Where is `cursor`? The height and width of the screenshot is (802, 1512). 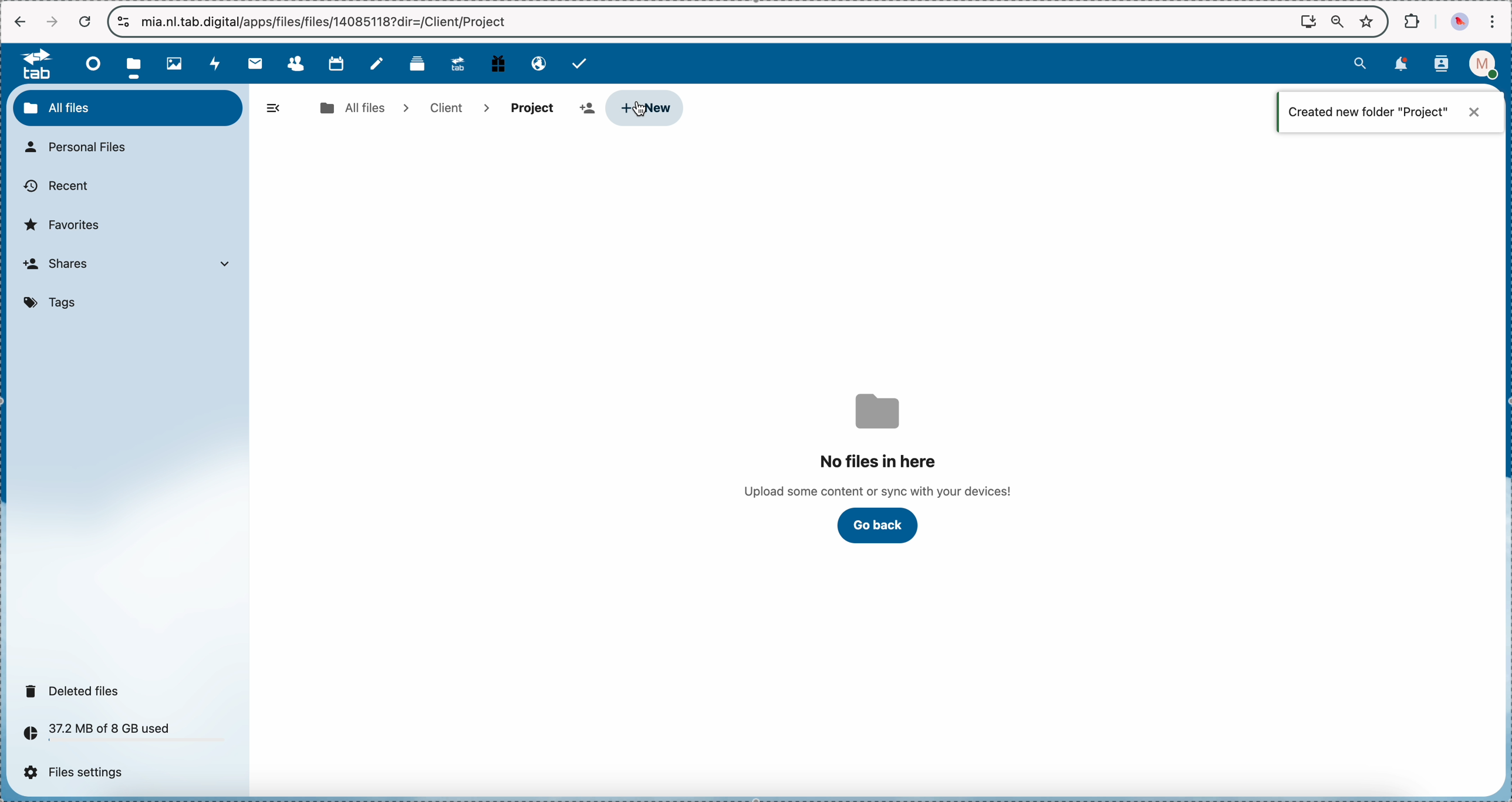
cursor is located at coordinates (638, 112).